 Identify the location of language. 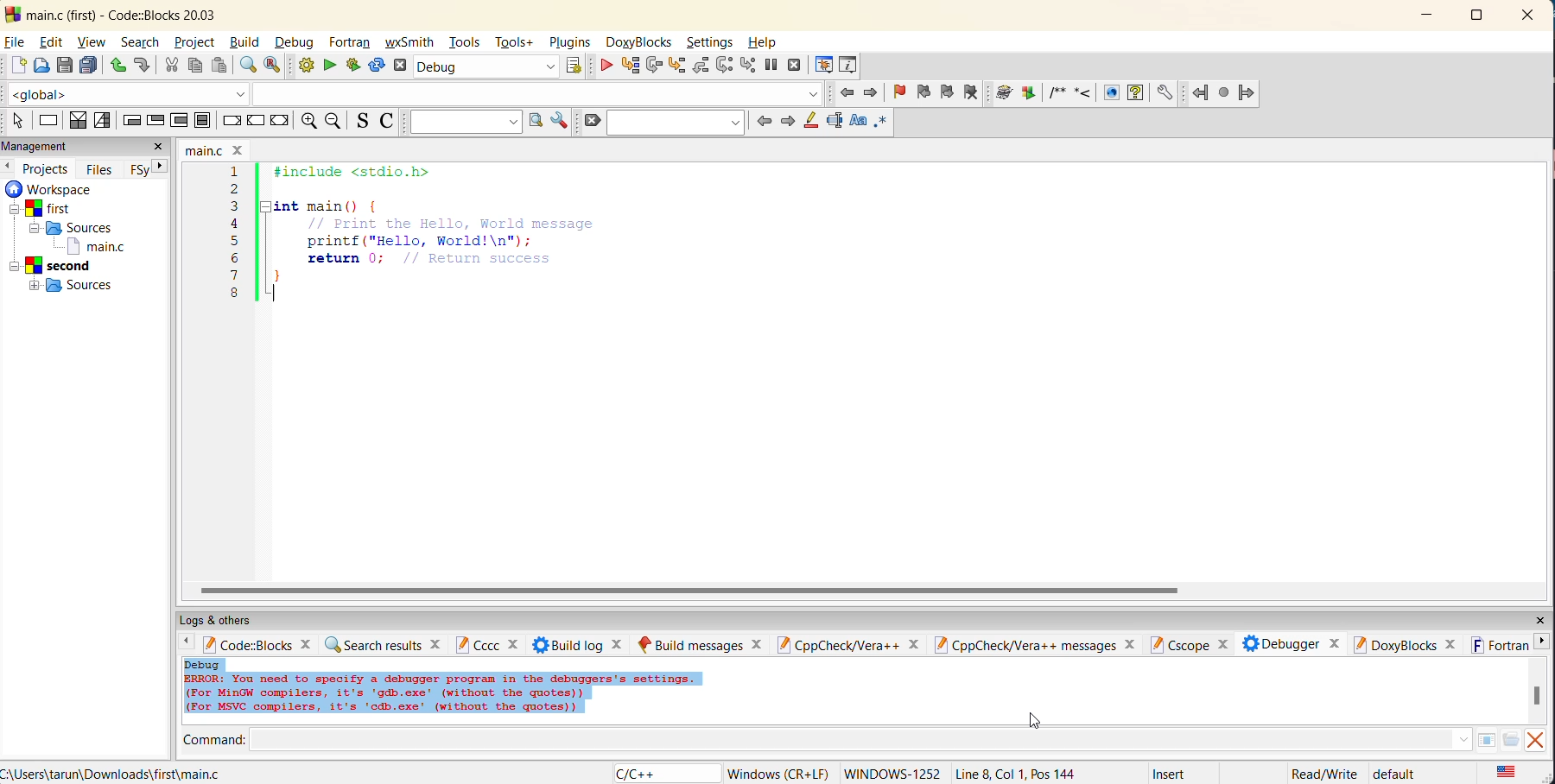
(637, 774).